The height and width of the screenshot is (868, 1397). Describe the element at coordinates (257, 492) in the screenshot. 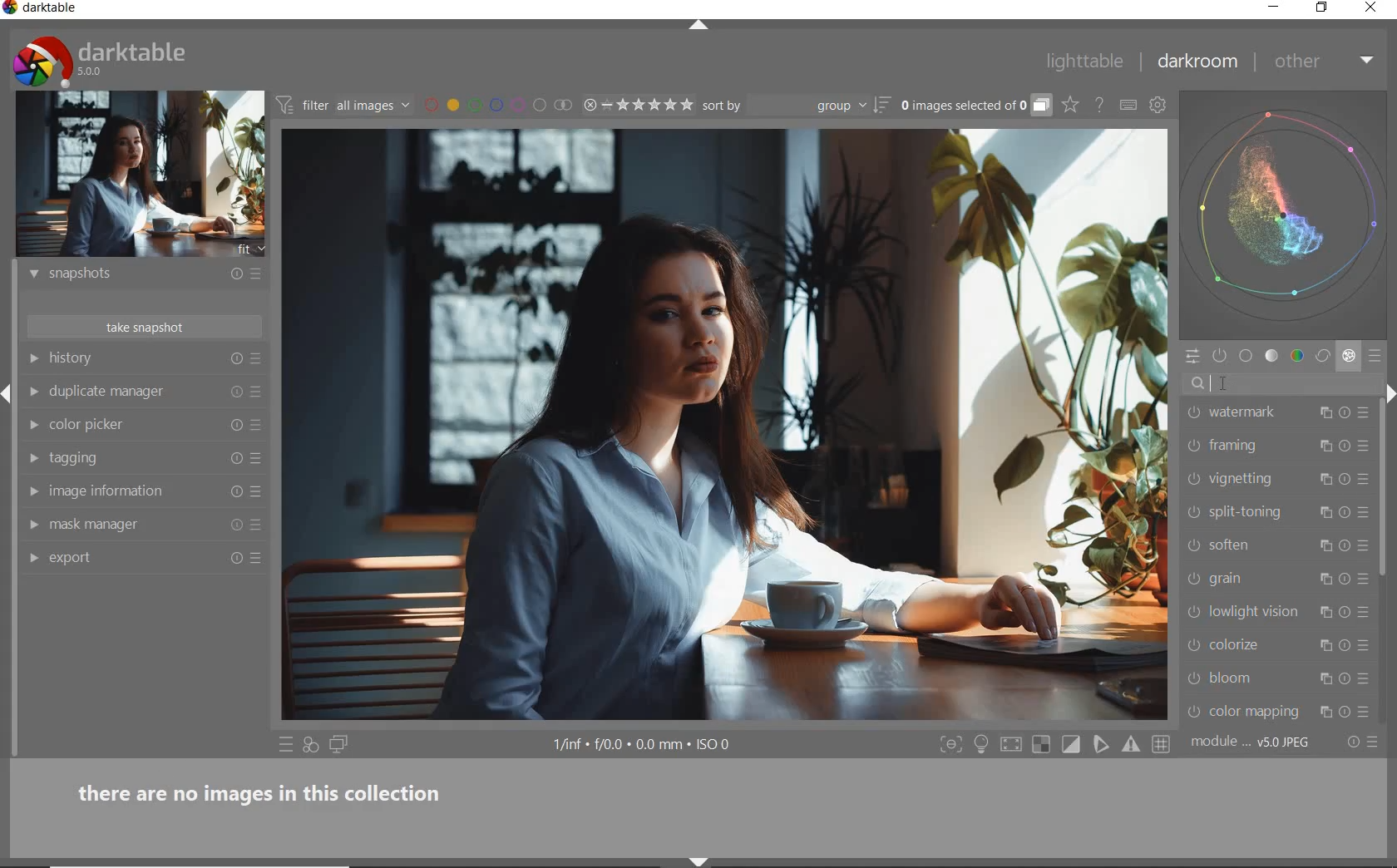

I see `preset and preferences` at that location.